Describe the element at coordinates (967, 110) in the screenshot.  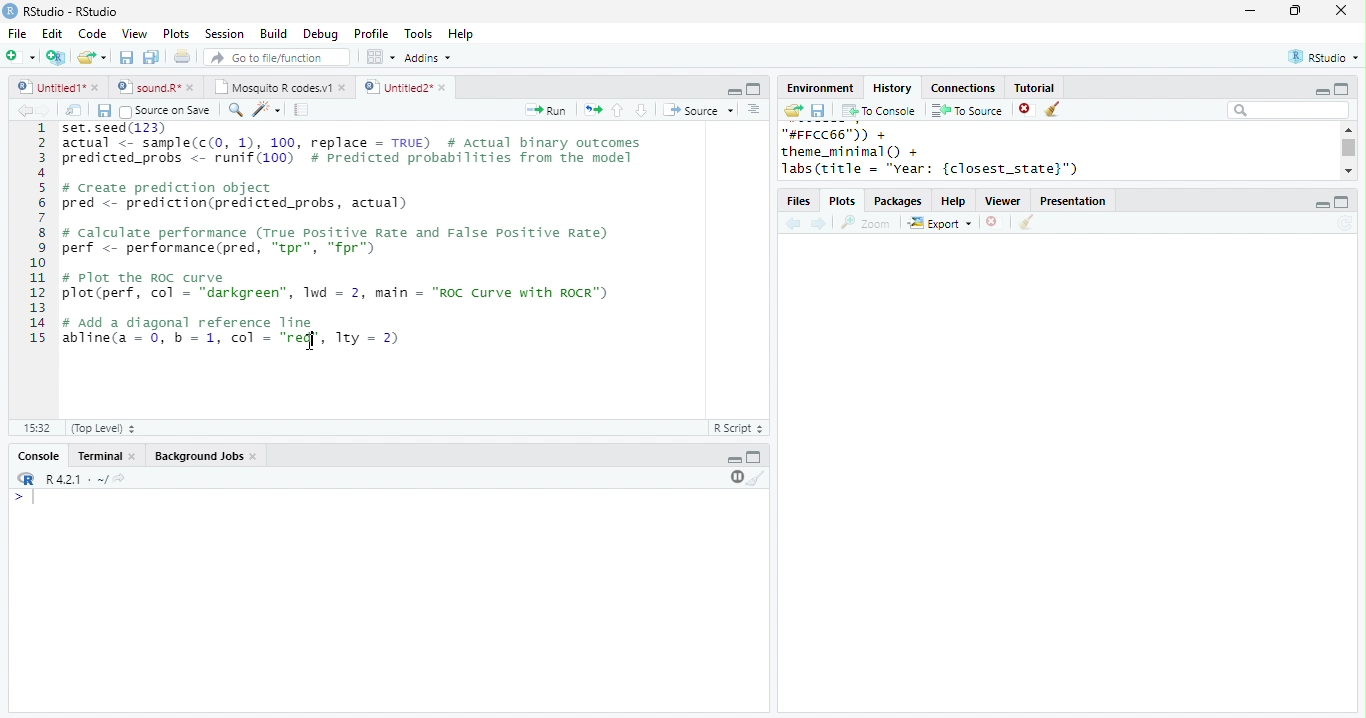
I see `To source` at that location.